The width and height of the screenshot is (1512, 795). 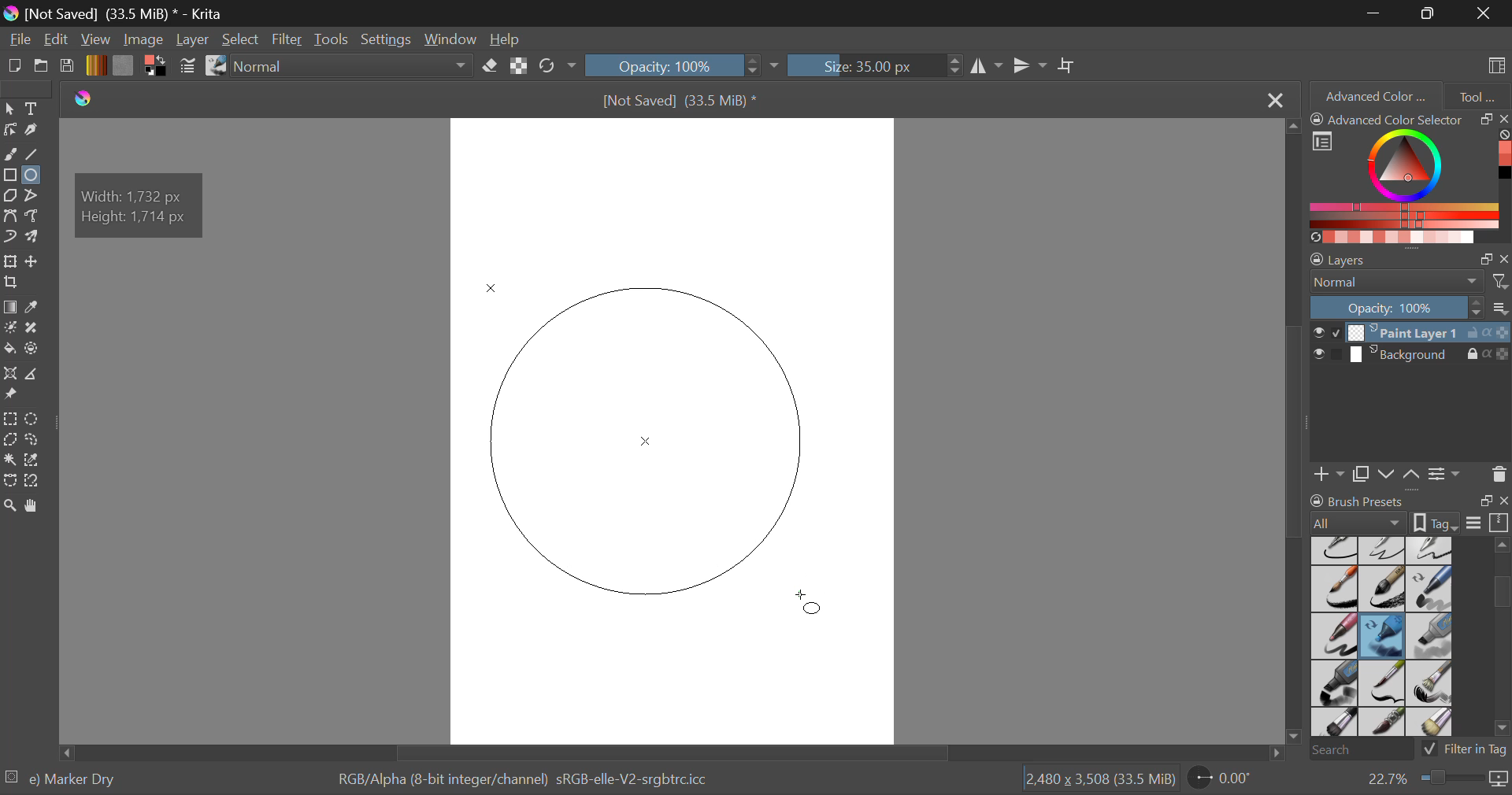 I want to click on Shape Dimensions, so click(x=140, y=203).